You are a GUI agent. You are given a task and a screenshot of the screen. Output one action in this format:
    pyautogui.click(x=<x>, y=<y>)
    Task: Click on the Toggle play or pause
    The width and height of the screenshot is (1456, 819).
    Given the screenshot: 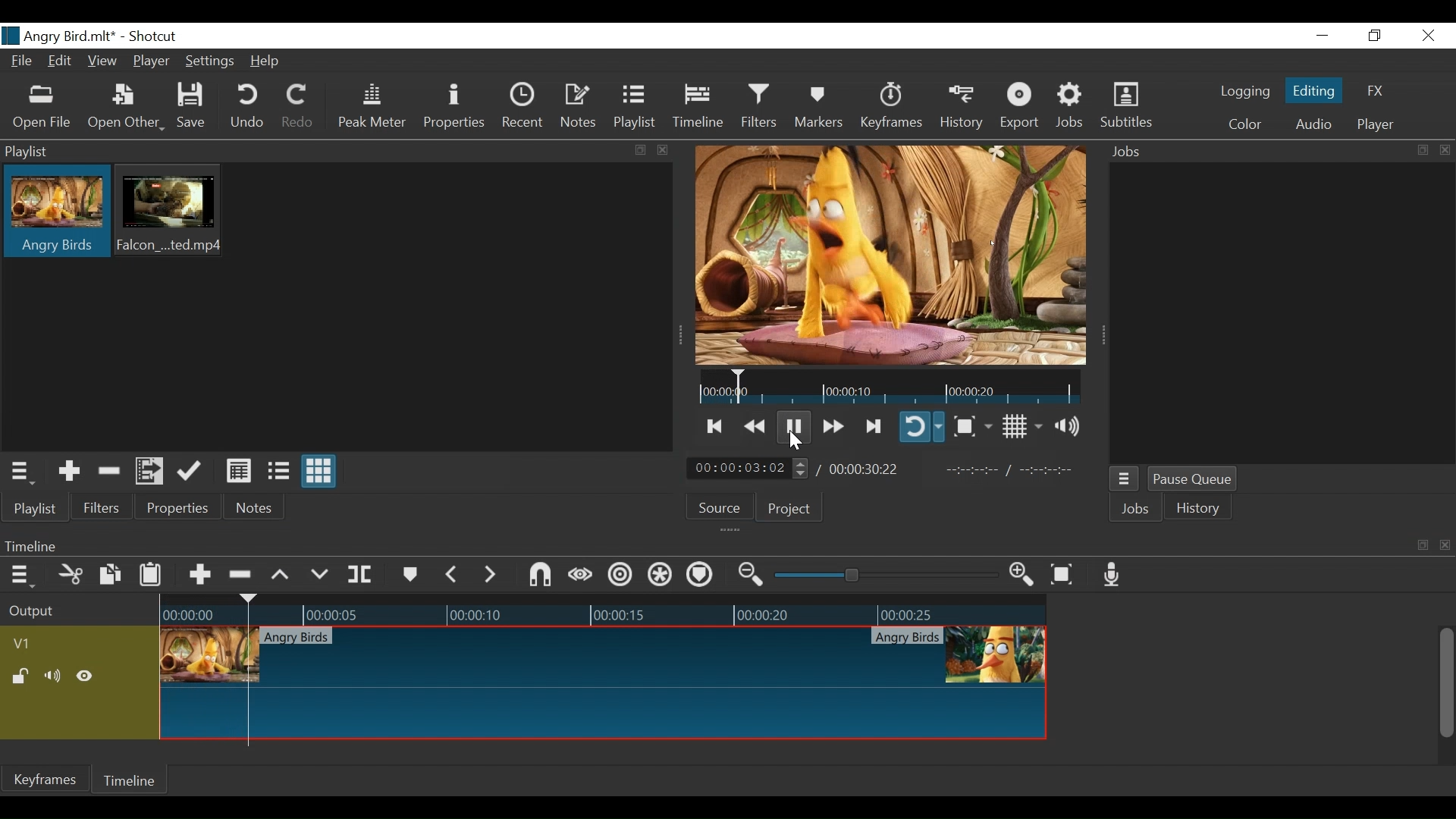 What is the action you would take?
    pyautogui.click(x=798, y=426)
    